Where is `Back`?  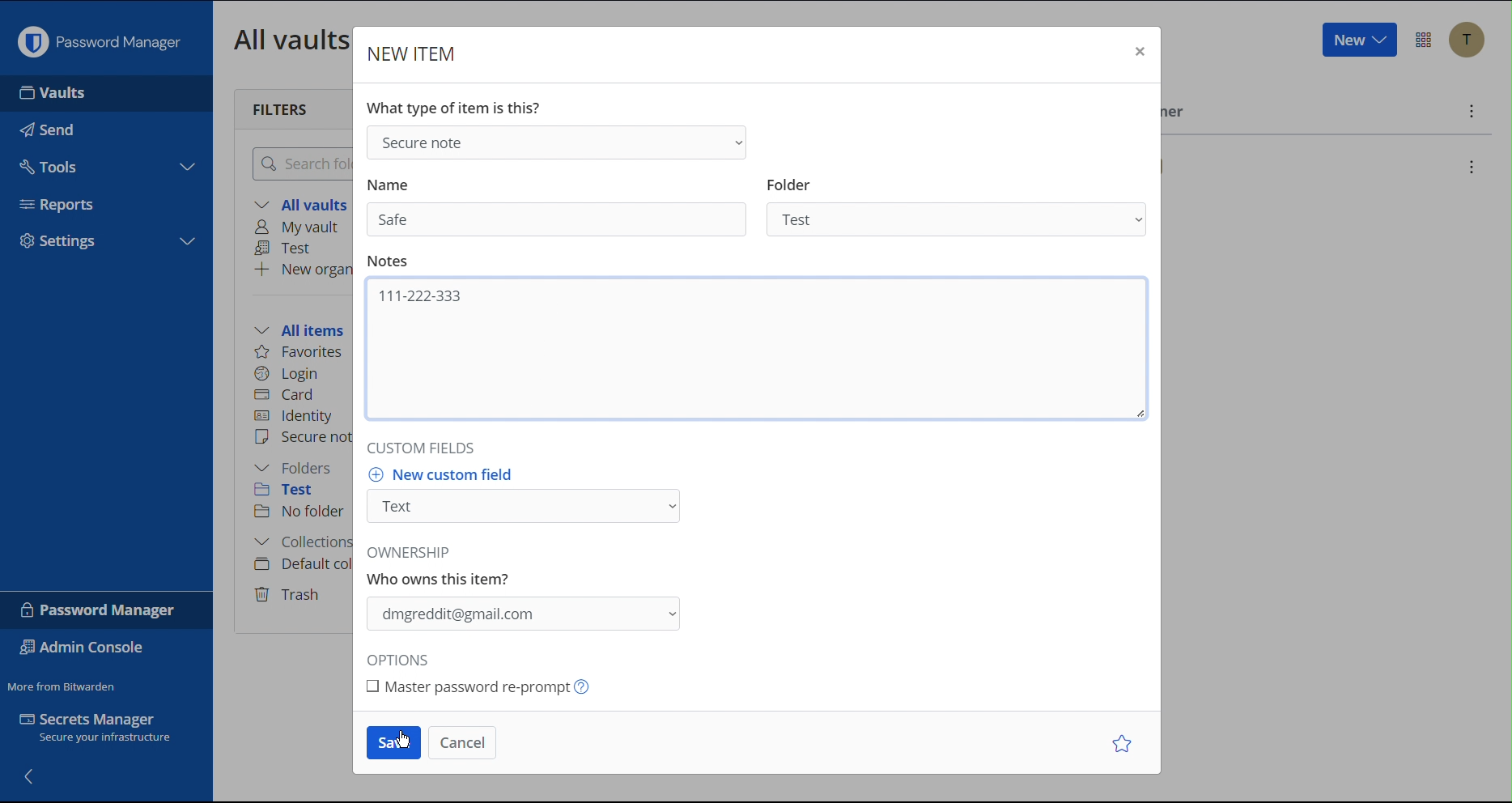 Back is located at coordinates (31, 775).